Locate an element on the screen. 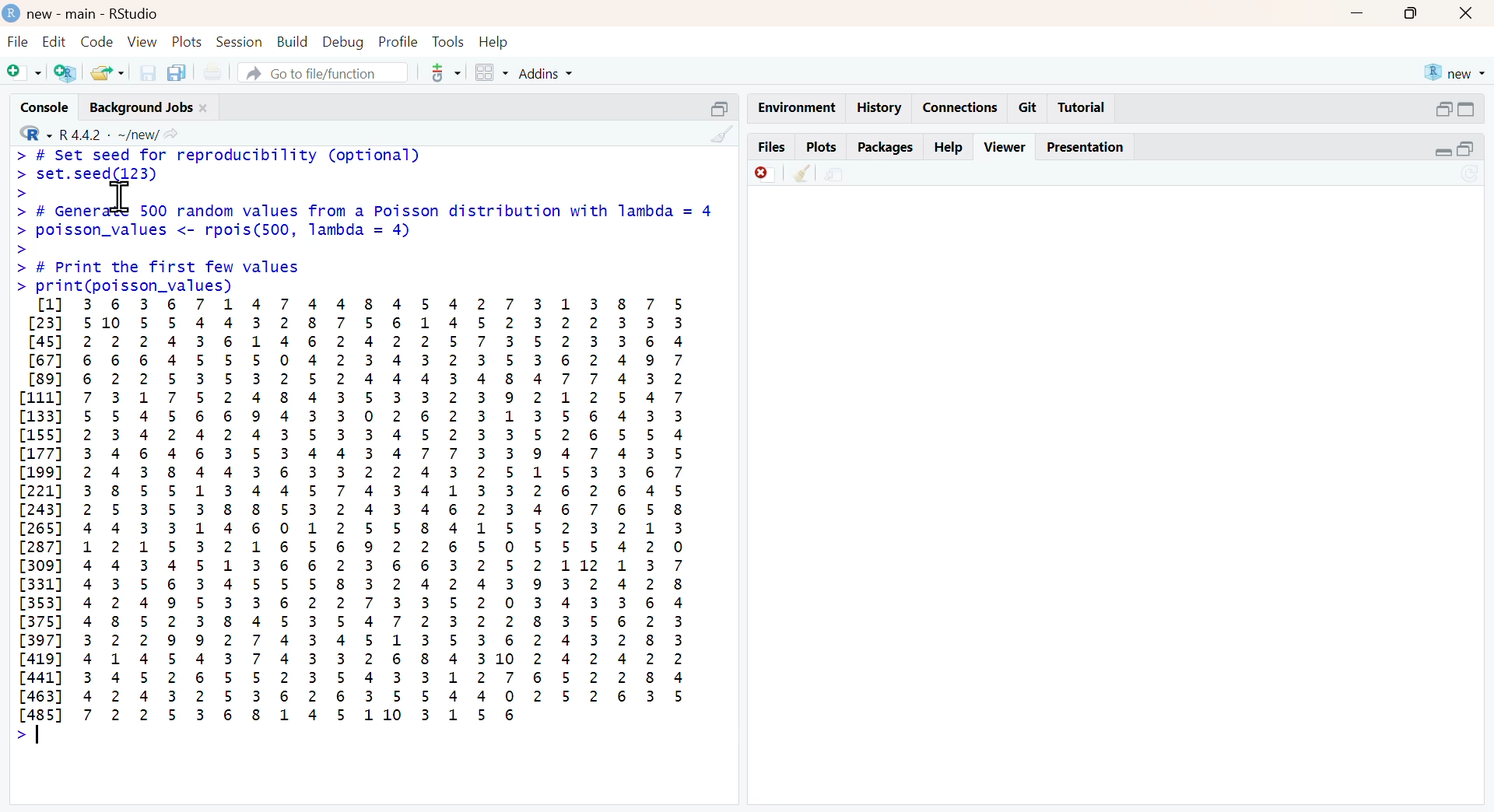 The height and width of the screenshot is (812, 1494). help is located at coordinates (948, 148).